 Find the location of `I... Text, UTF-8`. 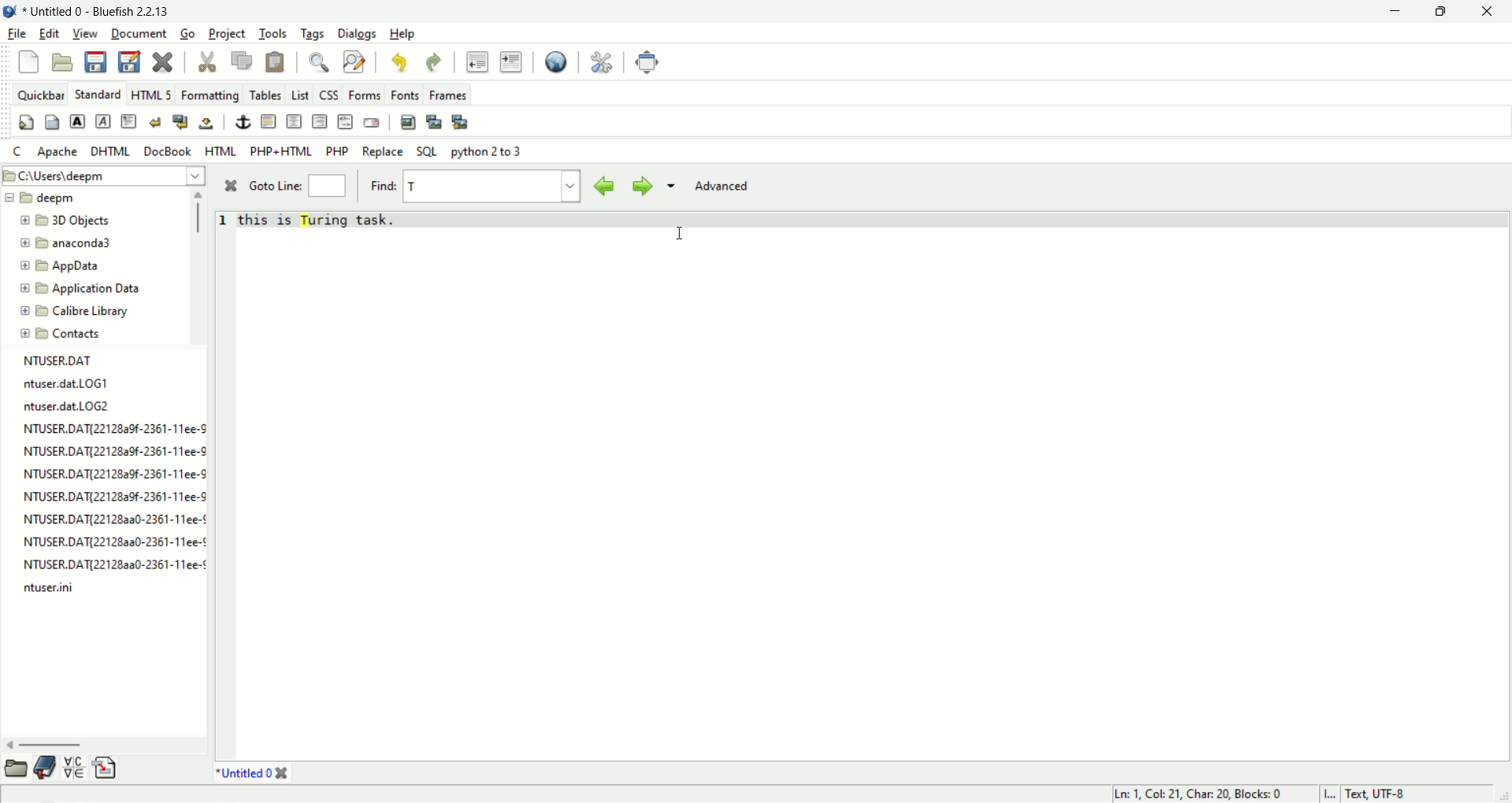

I... Text, UTF-8 is located at coordinates (1366, 792).